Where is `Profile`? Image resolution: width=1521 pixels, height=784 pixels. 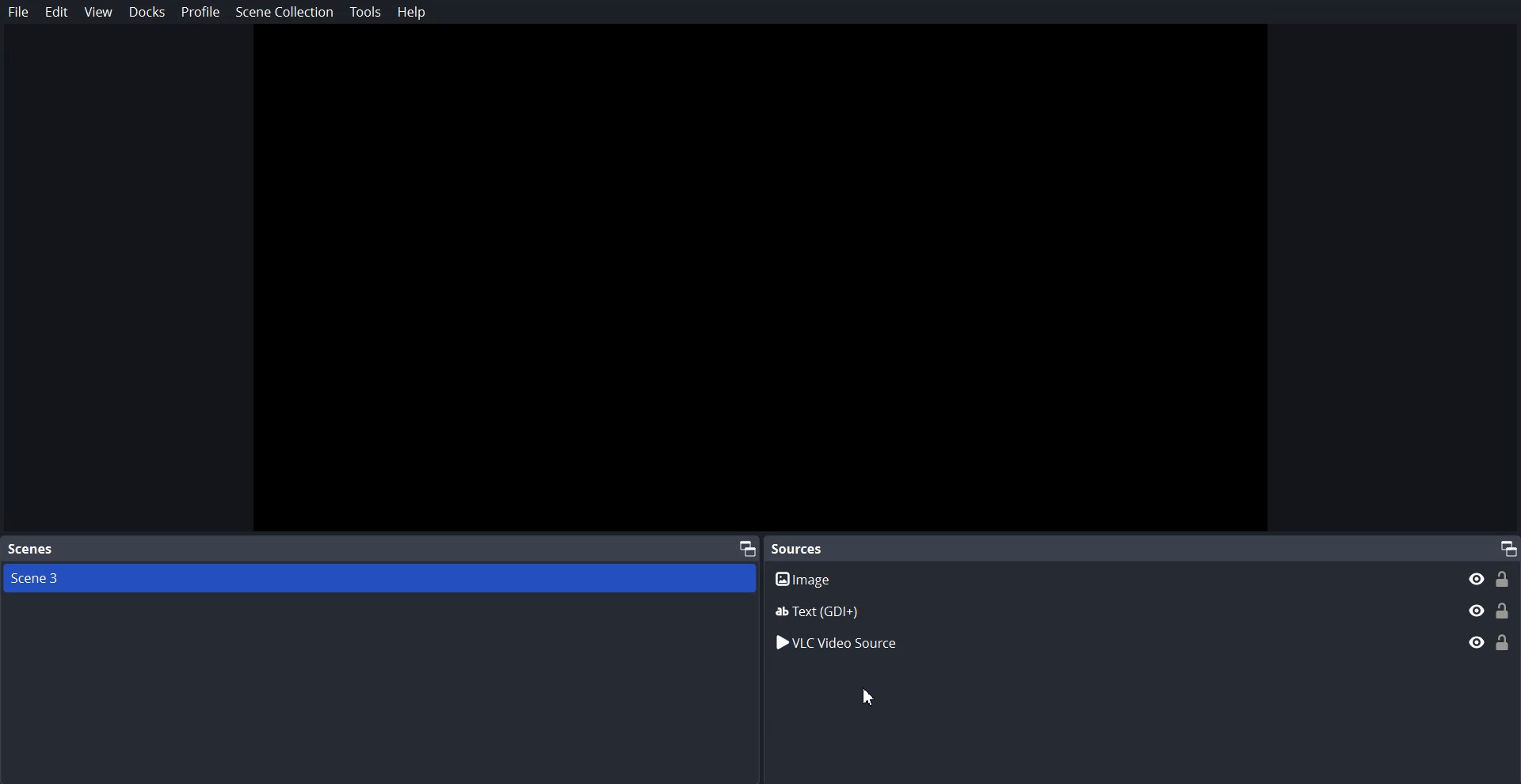
Profile is located at coordinates (201, 11).